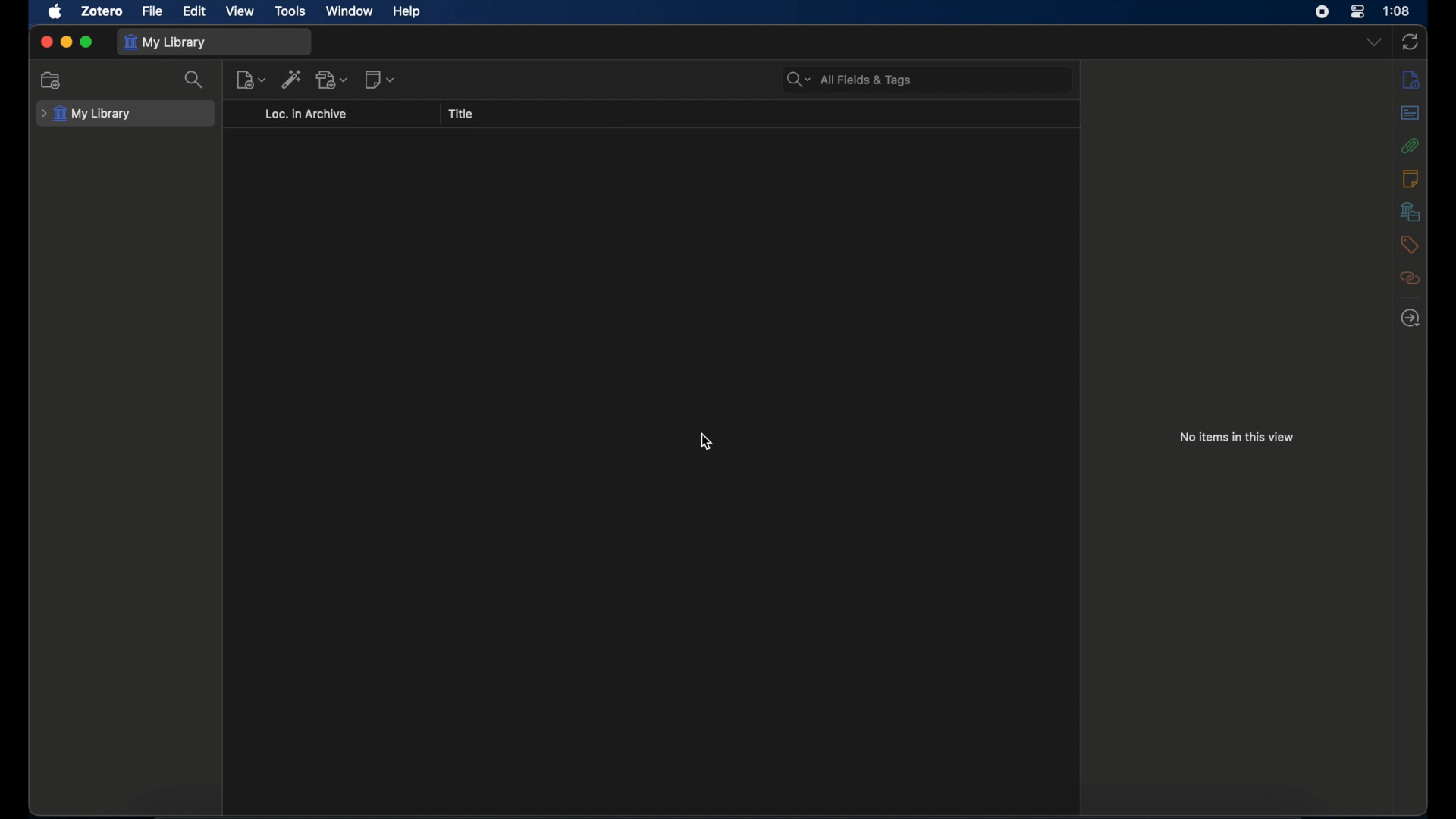 The image size is (1456, 819). Describe the element at coordinates (291, 12) in the screenshot. I see `tools` at that location.